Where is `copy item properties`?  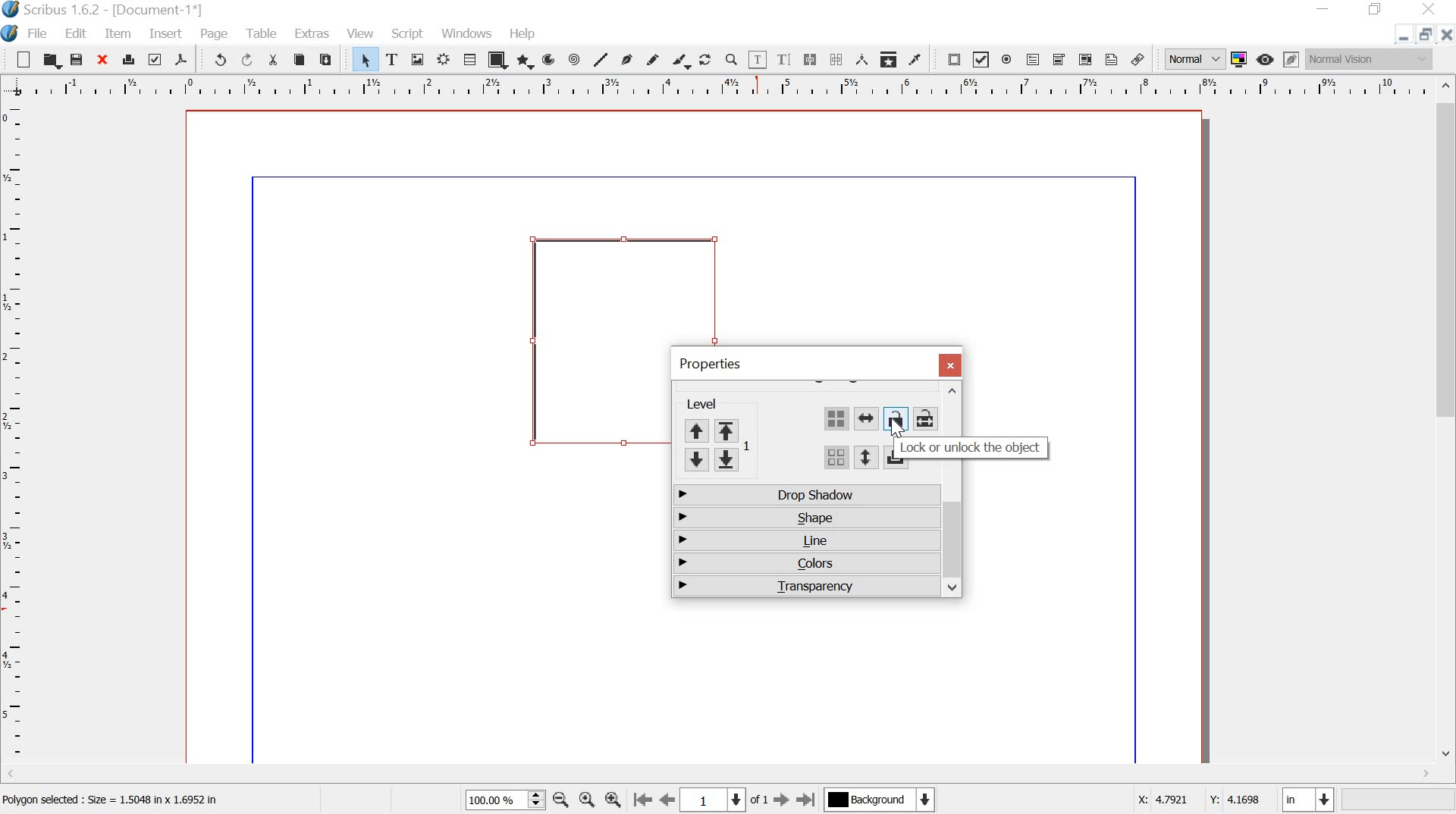 copy item properties is located at coordinates (890, 60).